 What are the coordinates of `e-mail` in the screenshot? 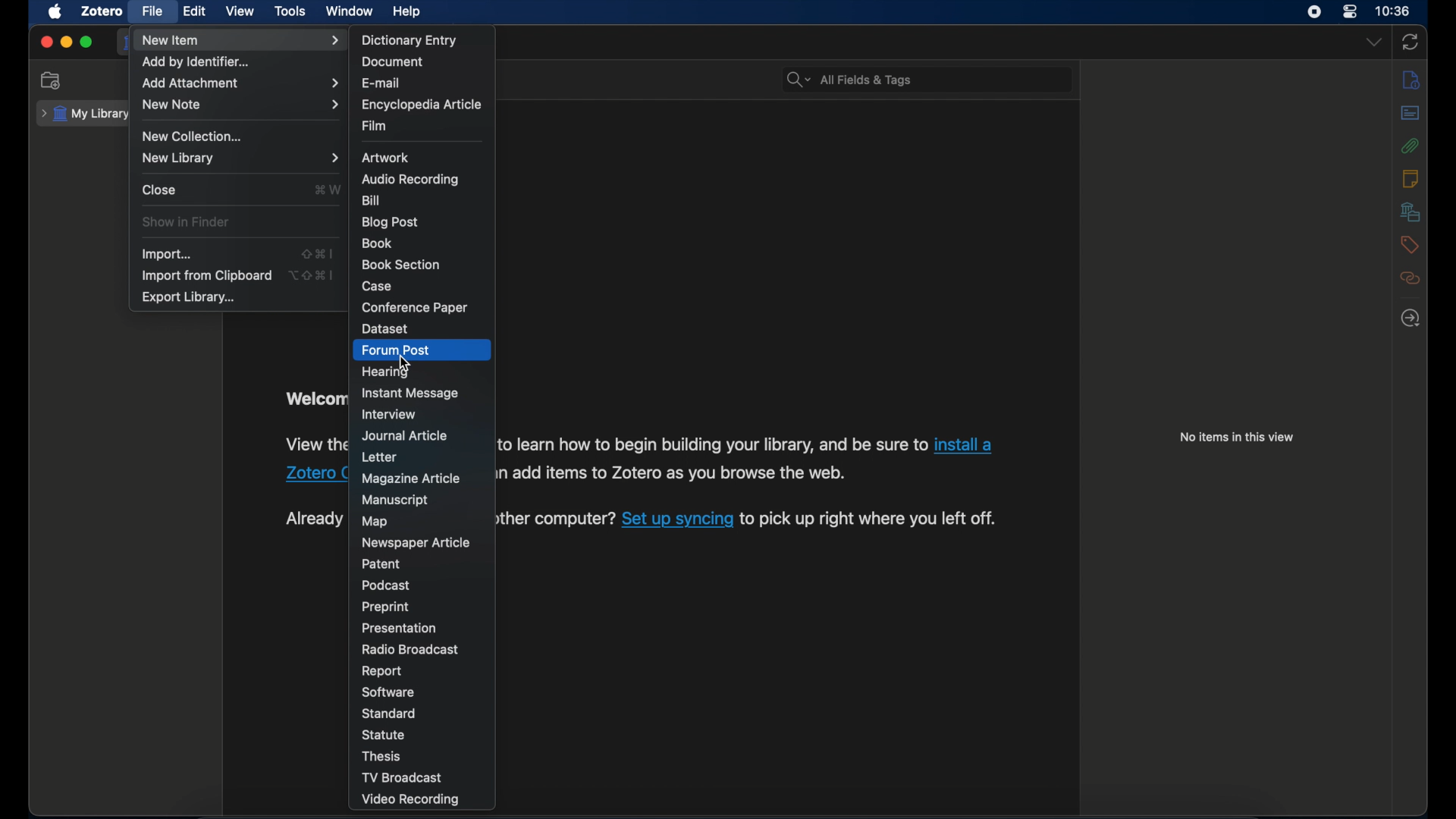 It's located at (381, 83).